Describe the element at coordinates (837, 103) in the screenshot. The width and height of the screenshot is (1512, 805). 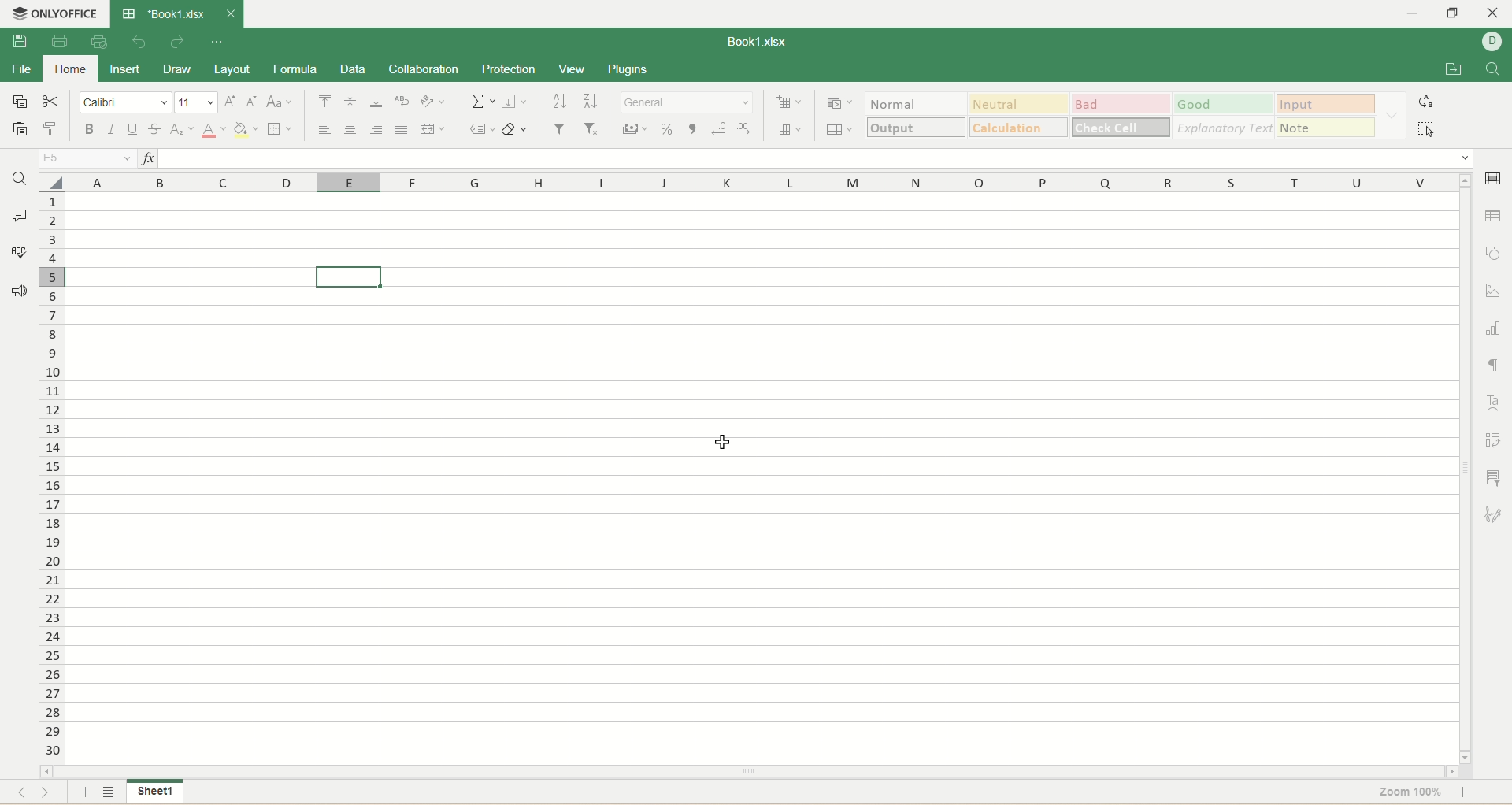
I see `conditional formatting` at that location.